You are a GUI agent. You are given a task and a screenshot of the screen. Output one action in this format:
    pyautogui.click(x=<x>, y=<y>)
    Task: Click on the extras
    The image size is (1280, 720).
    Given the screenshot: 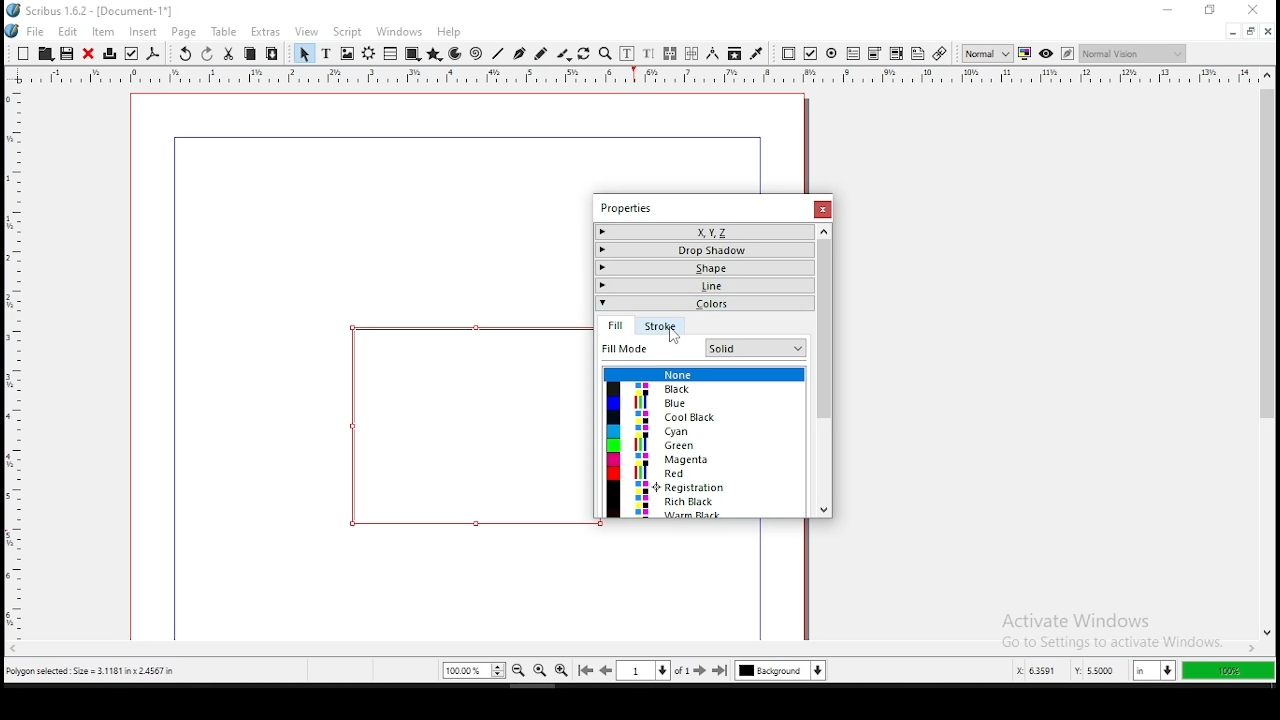 What is the action you would take?
    pyautogui.click(x=265, y=32)
    